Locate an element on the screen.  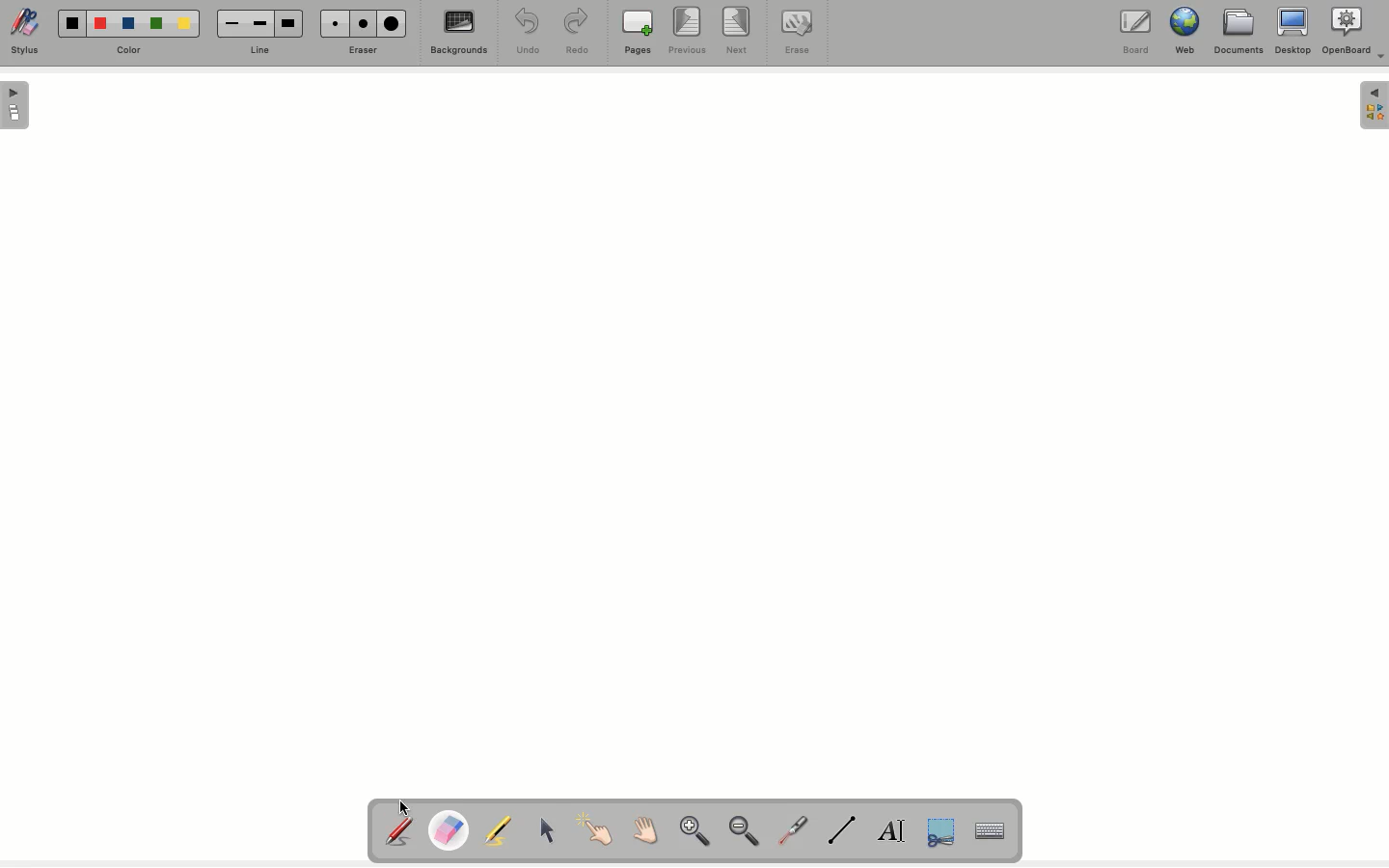
Line is located at coordinates (844, 831).